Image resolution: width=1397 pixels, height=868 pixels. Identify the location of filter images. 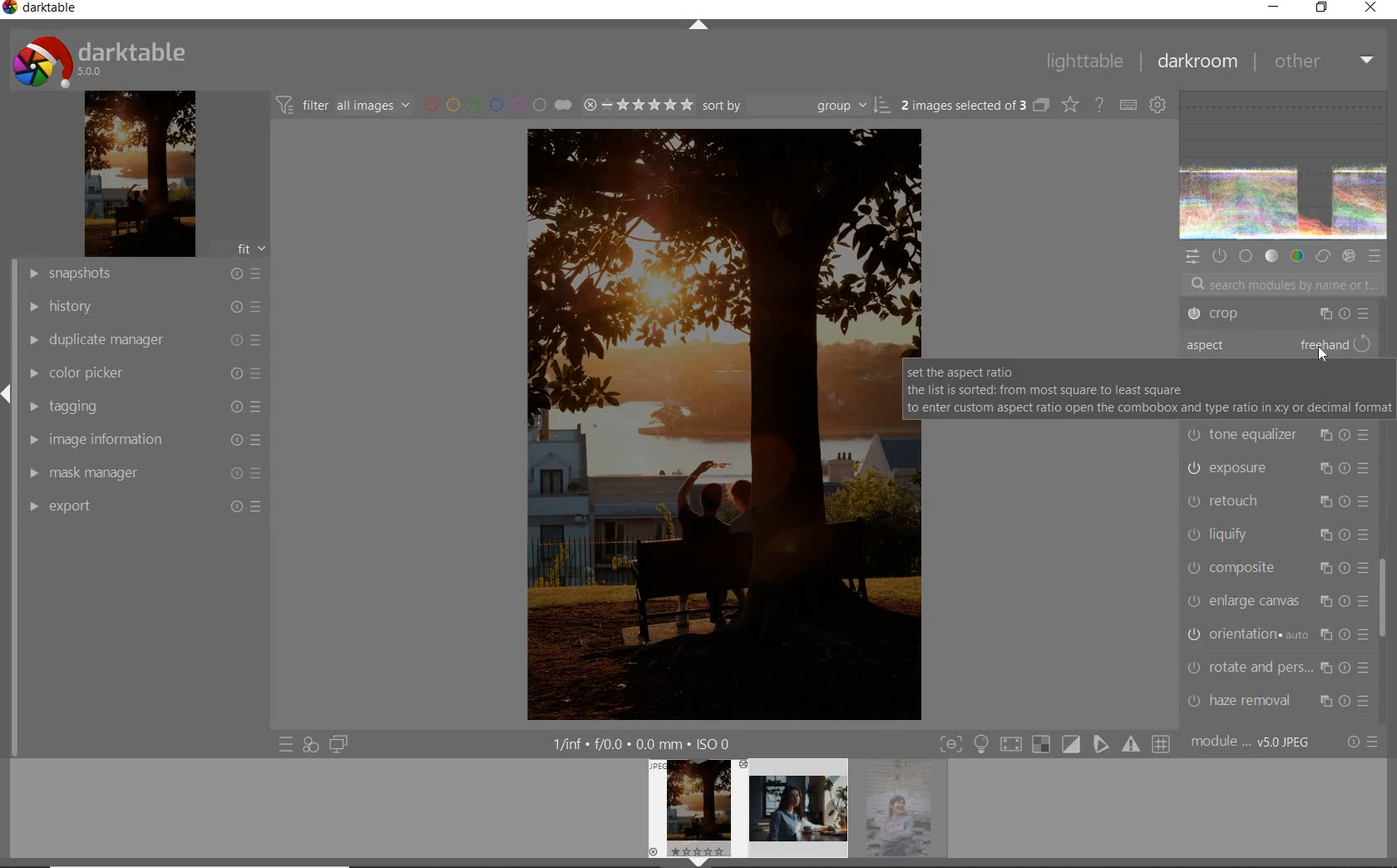
(343, 106).